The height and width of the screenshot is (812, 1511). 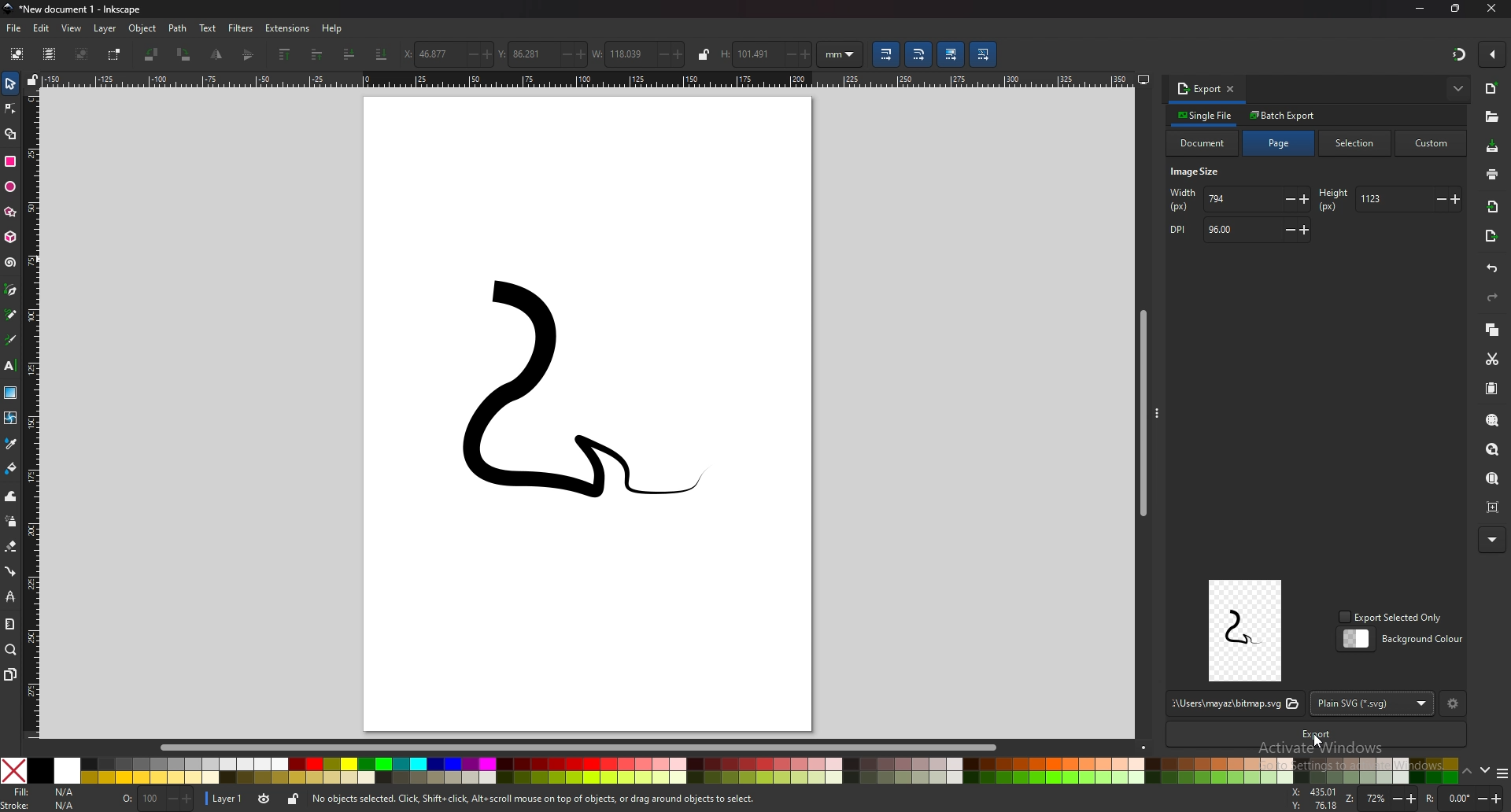 What do you see at coordinates (1484, 770) in the screenshot?
I see `down` at bounding box center [1484, 770].